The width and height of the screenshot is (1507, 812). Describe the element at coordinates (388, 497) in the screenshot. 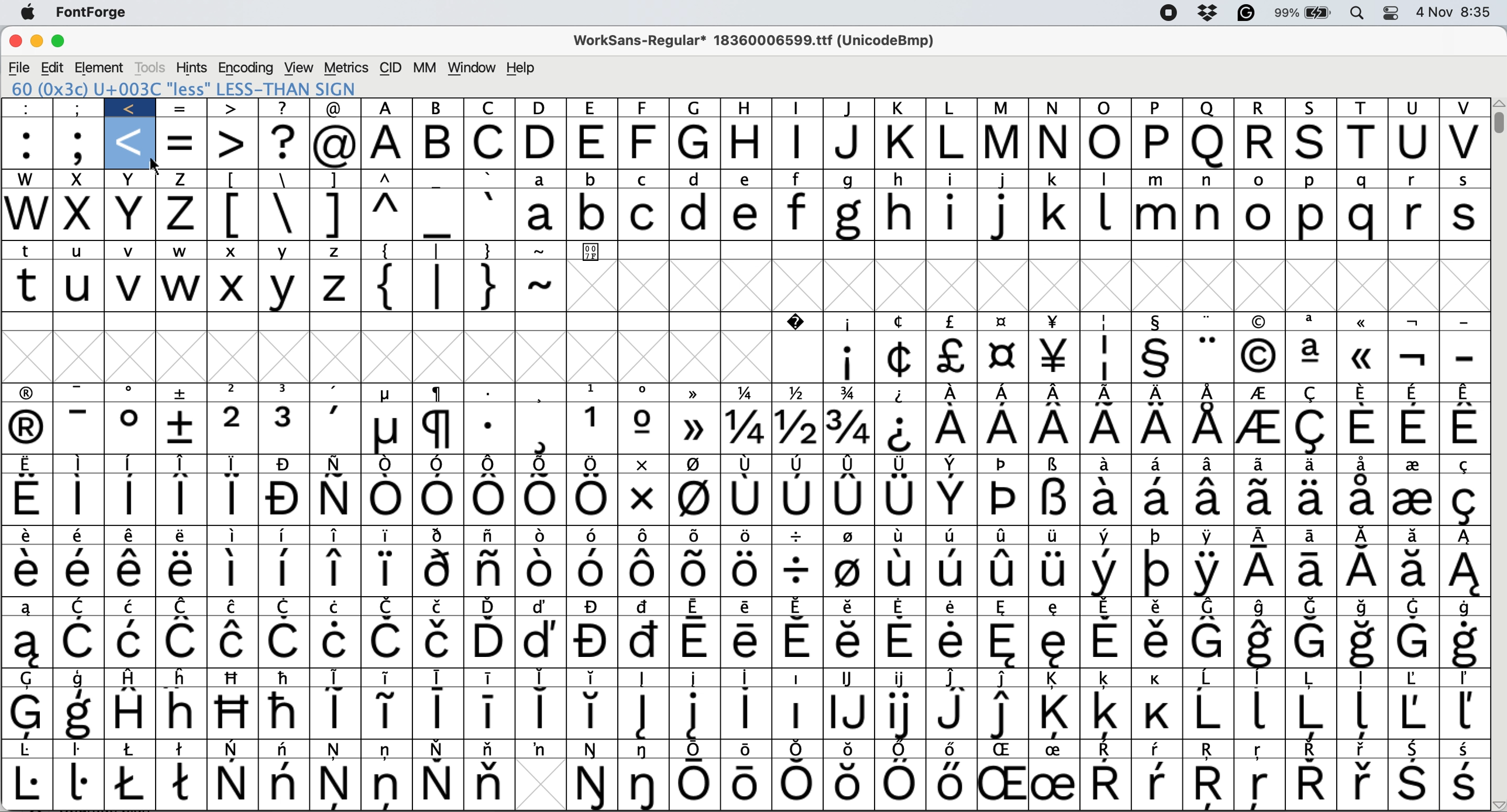

I see `Symbol` at that location.